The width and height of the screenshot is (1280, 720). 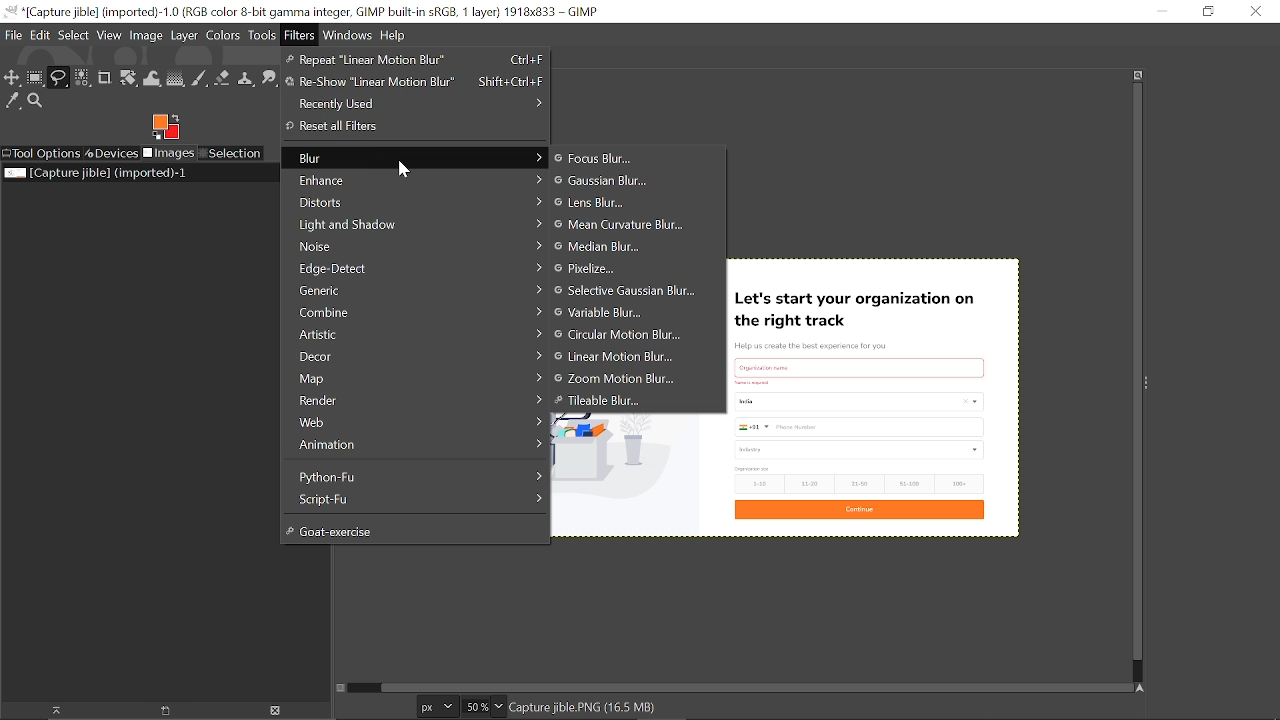 What do you see at coordinates (414, 157) in the screenshot?
I see `blur` at bounding box center [414, 157].